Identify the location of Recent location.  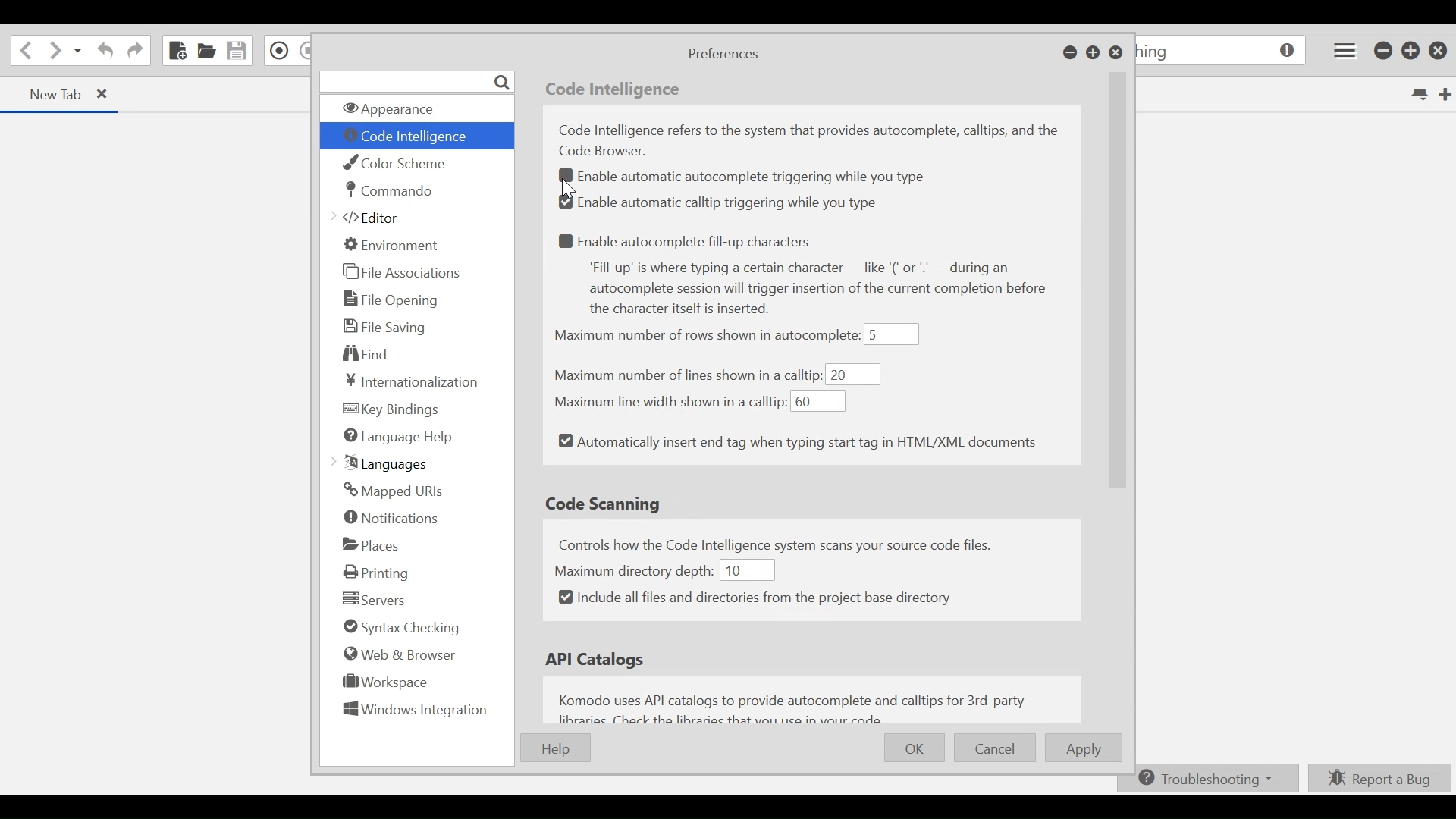
(78, 52).